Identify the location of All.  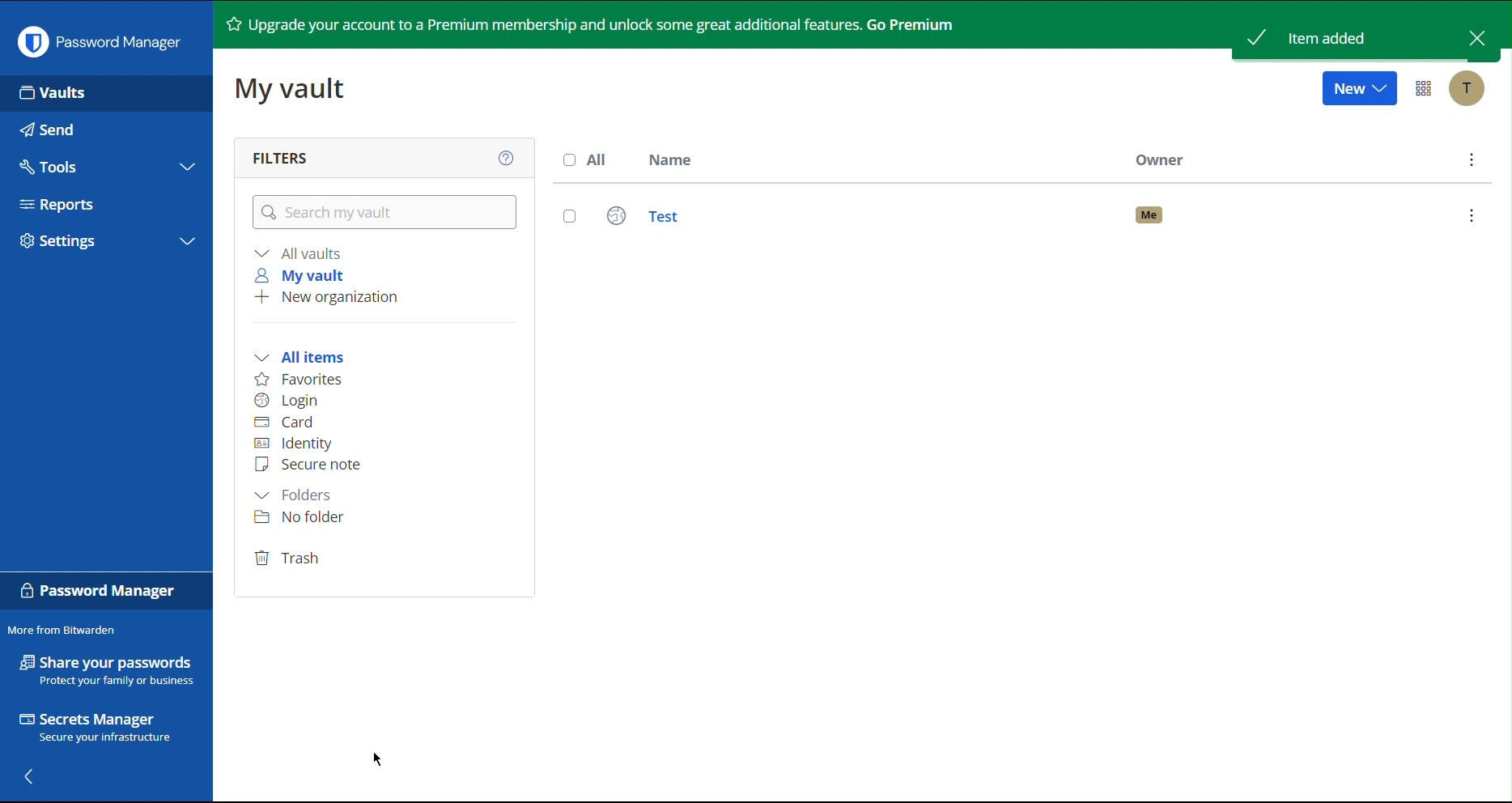
(586, 160).